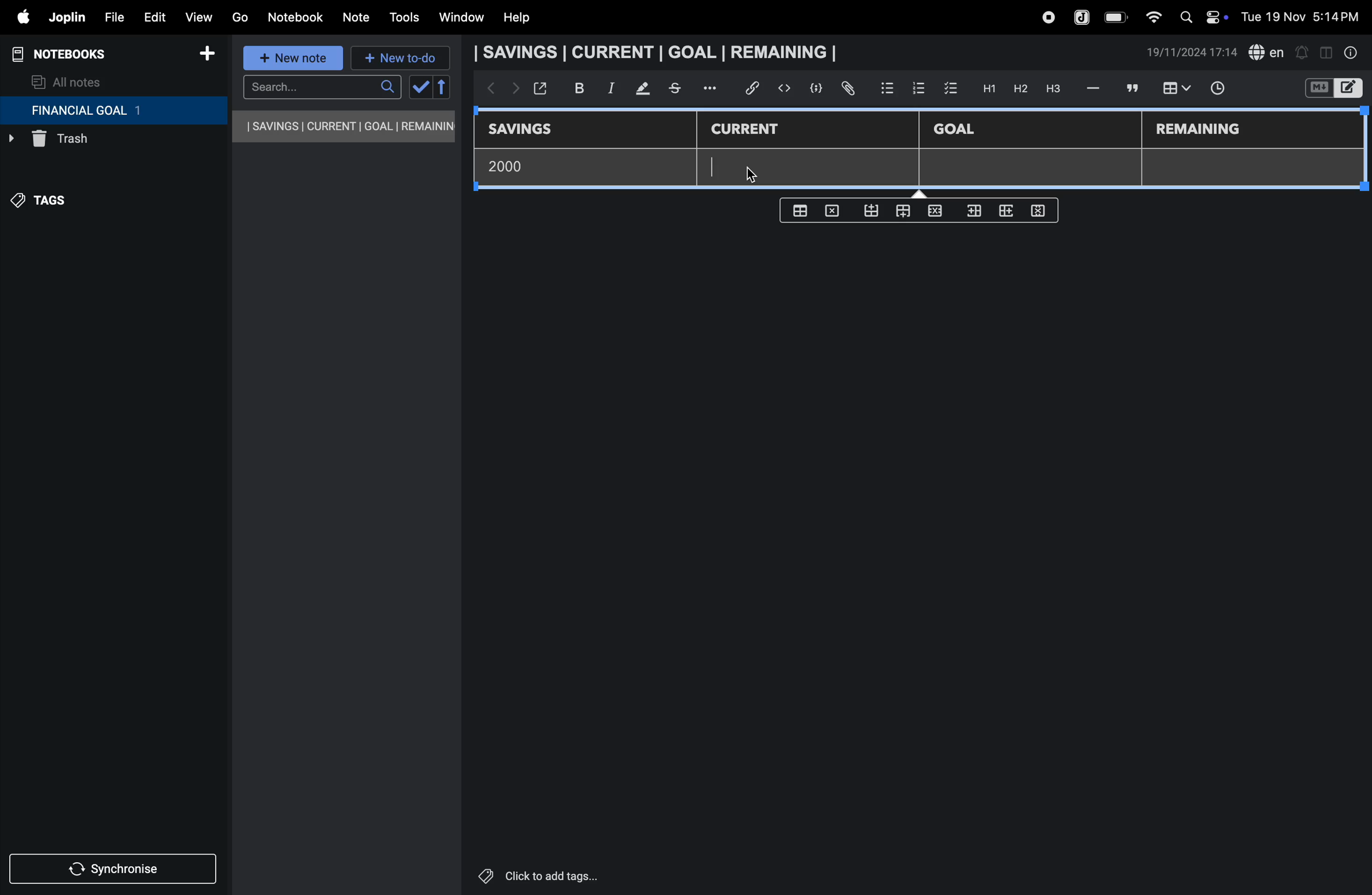 This screenshot has height=895, width=1372. What do you see at coordinates (1192, 52) in the screenshot?
I see `date and time` at bounding box center [1192, 52].